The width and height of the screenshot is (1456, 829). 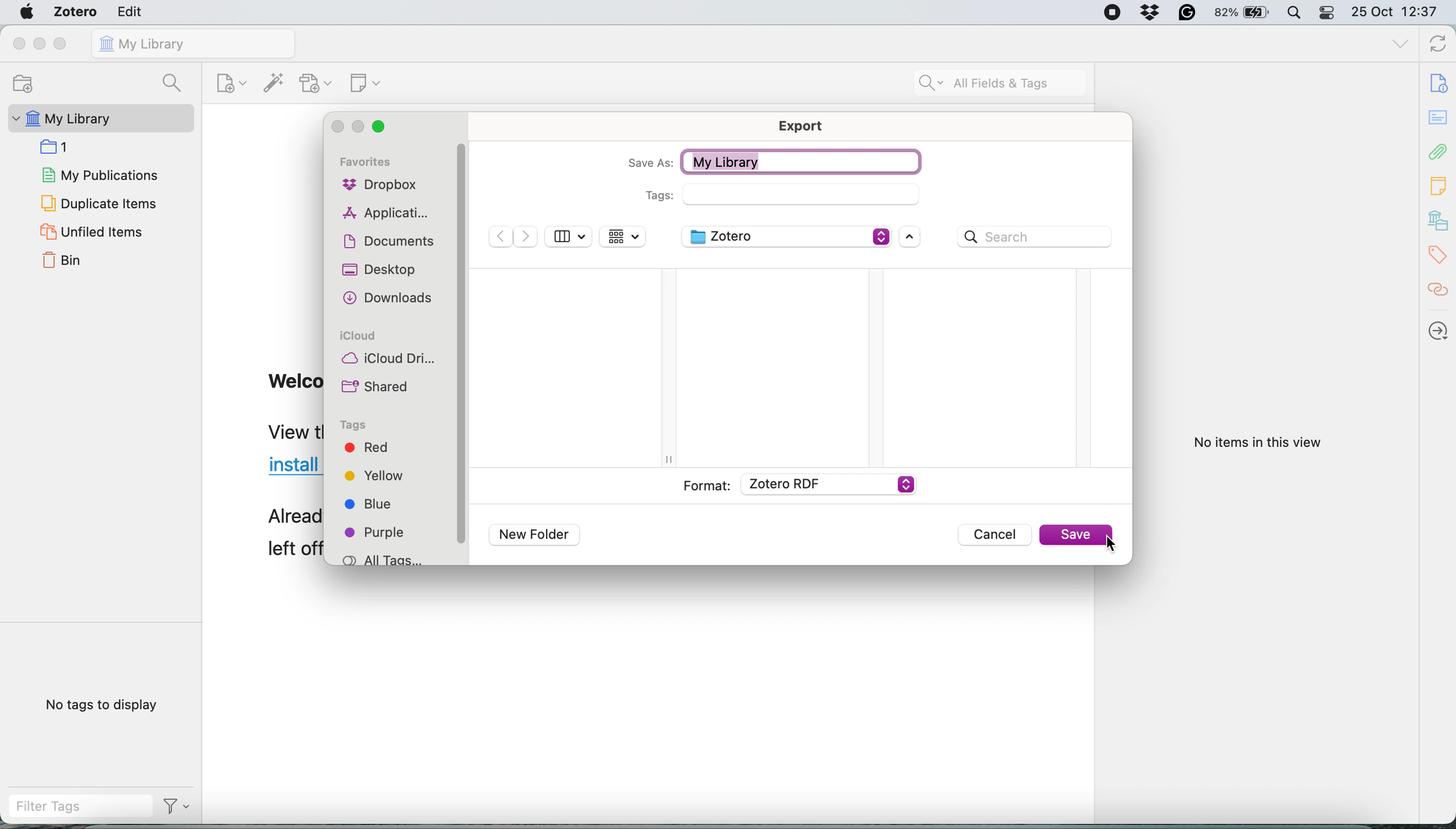 What do you see at coordinates (1242, 11) in the screenshot?
I see `82% battery` at bounding box center [1242, 11].